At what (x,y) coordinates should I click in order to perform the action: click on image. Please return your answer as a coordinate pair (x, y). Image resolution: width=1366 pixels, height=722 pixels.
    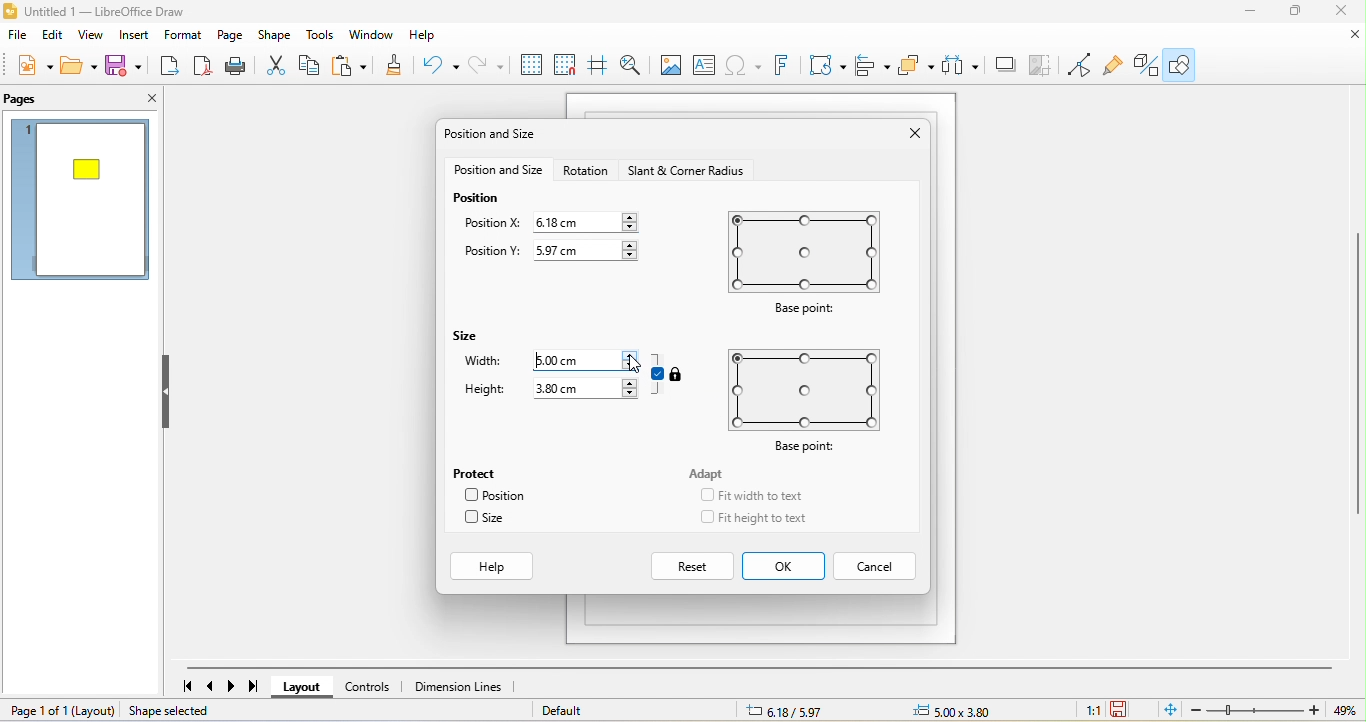
    Looking at the image, I should click on (668, 66).